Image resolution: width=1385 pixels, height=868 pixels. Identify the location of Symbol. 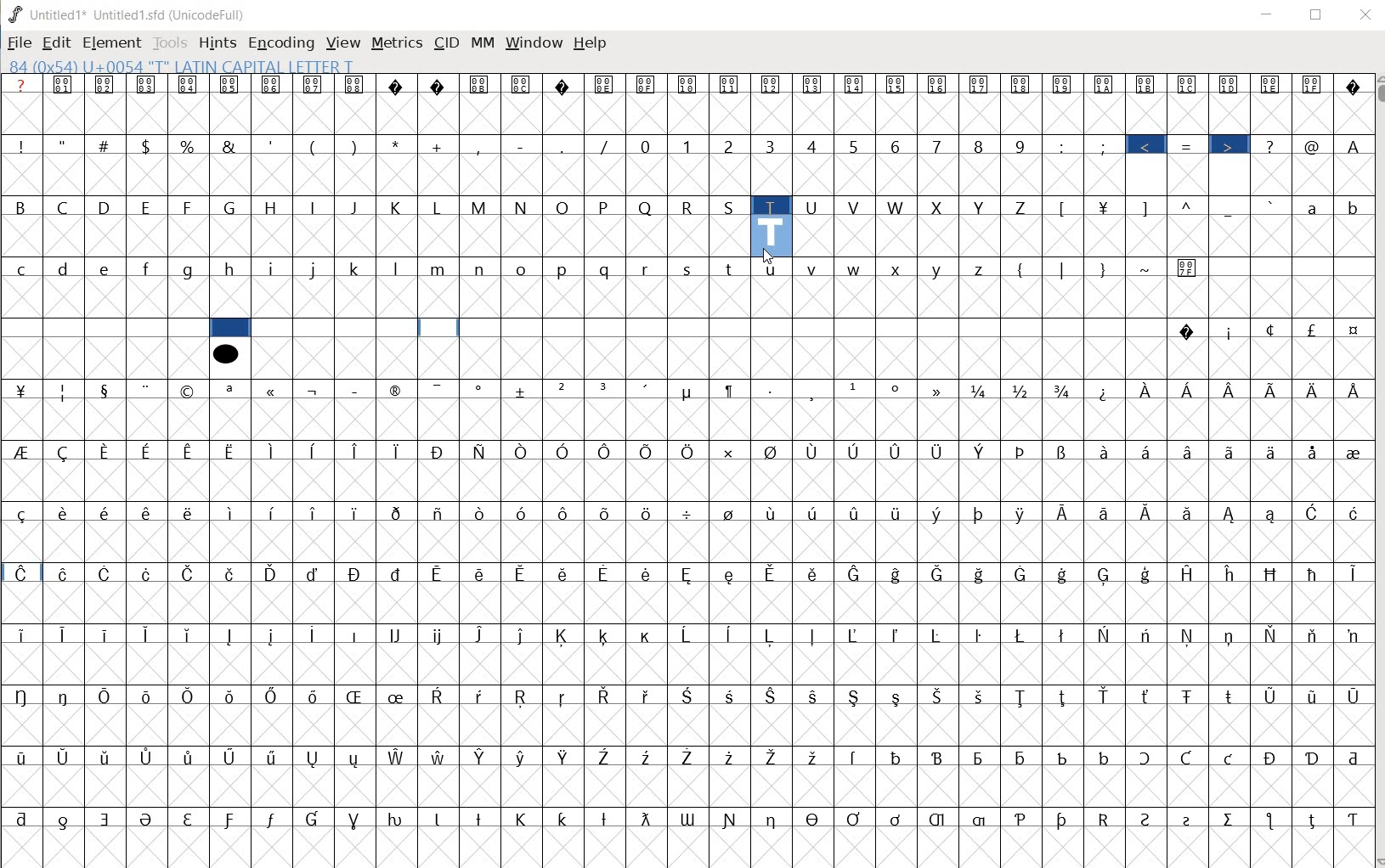
(357, 86).